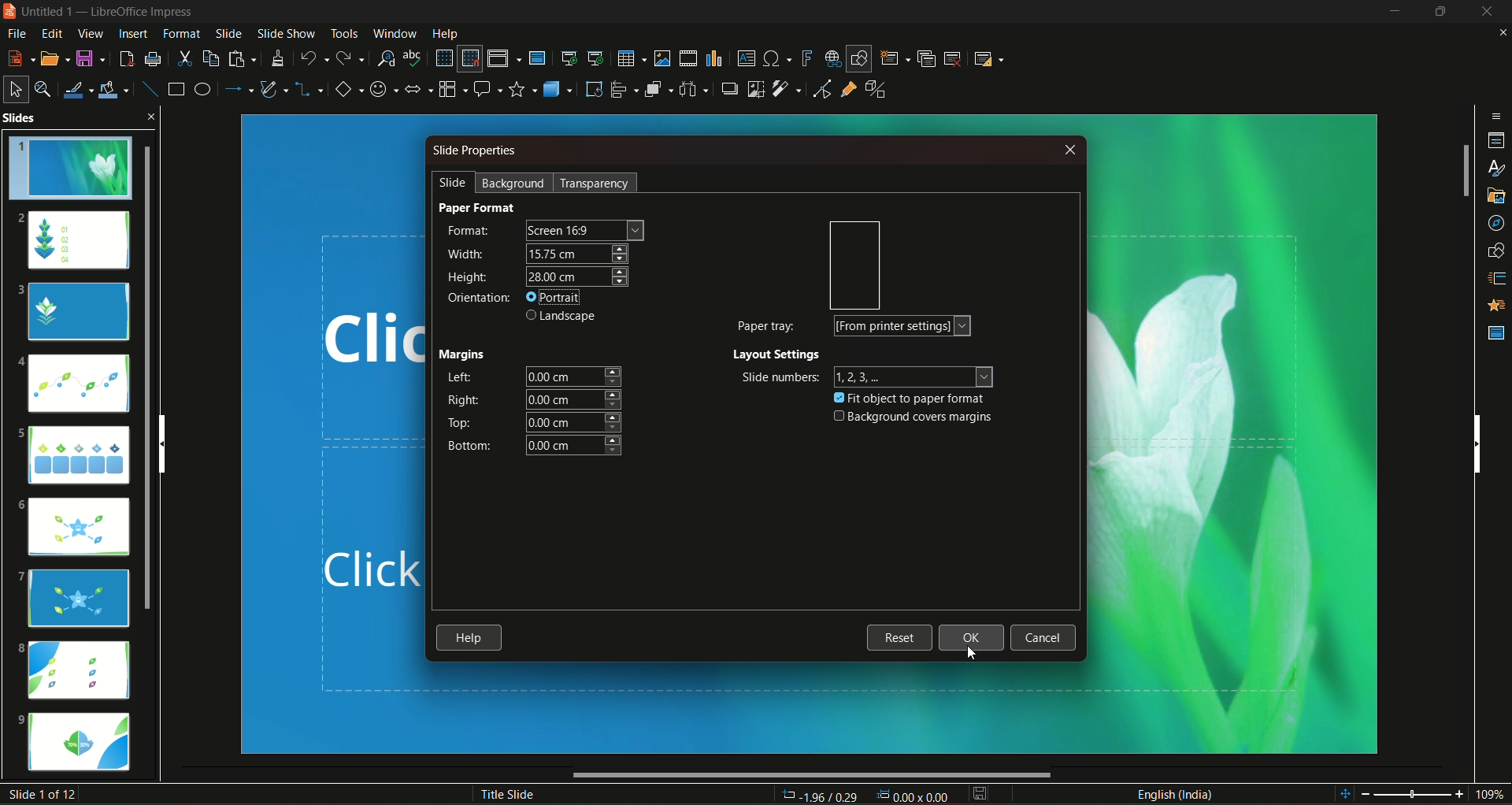 The image size is (1512, 805). Describe the element at coordinates (117, 87) in the screenshot. I see `fill color` at that location.